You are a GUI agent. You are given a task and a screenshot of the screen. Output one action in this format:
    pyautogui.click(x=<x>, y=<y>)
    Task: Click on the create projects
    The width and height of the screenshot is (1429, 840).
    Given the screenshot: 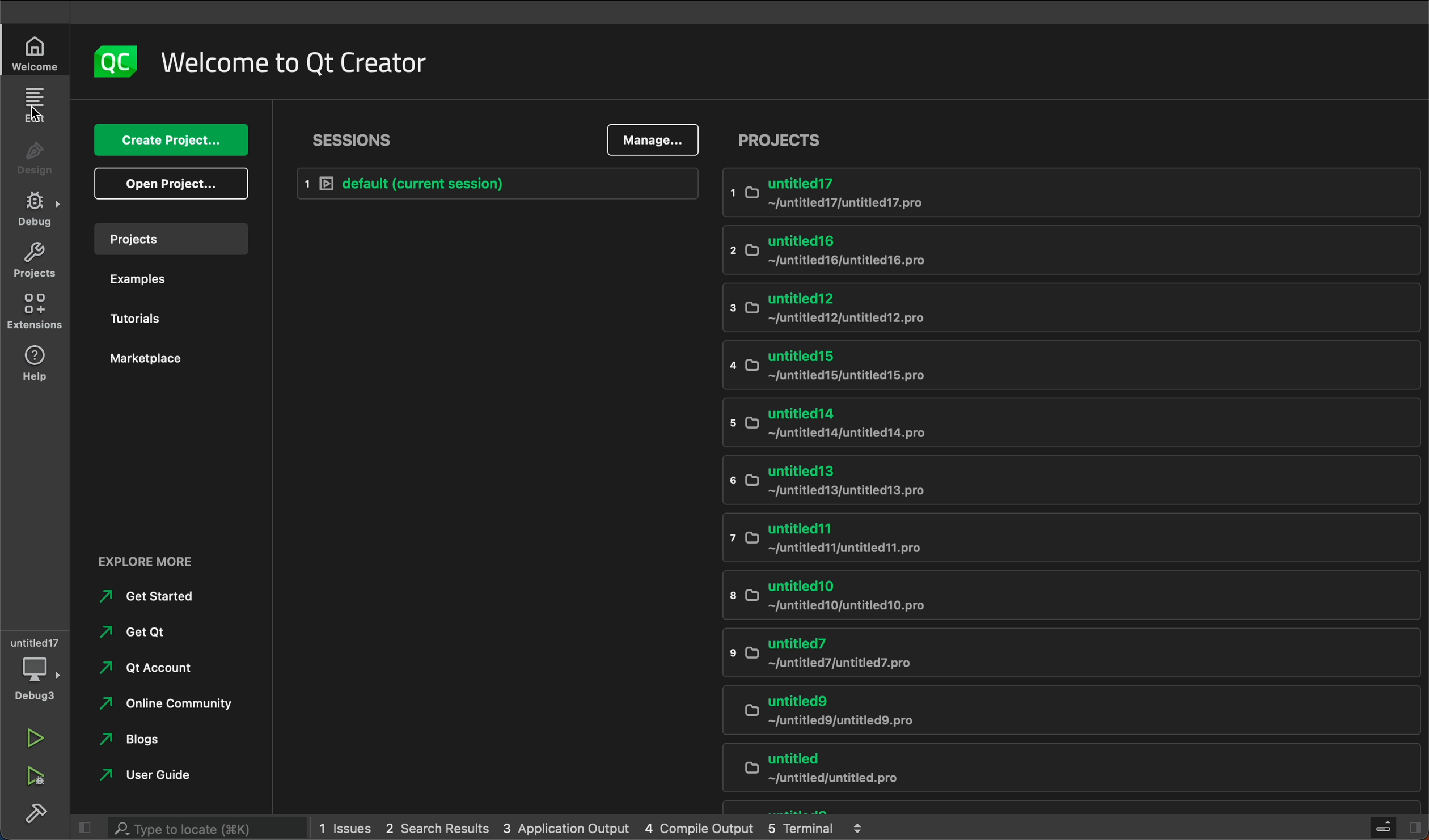 What is the action you would take?
    pyautogui.click(x=173, y=139)
    